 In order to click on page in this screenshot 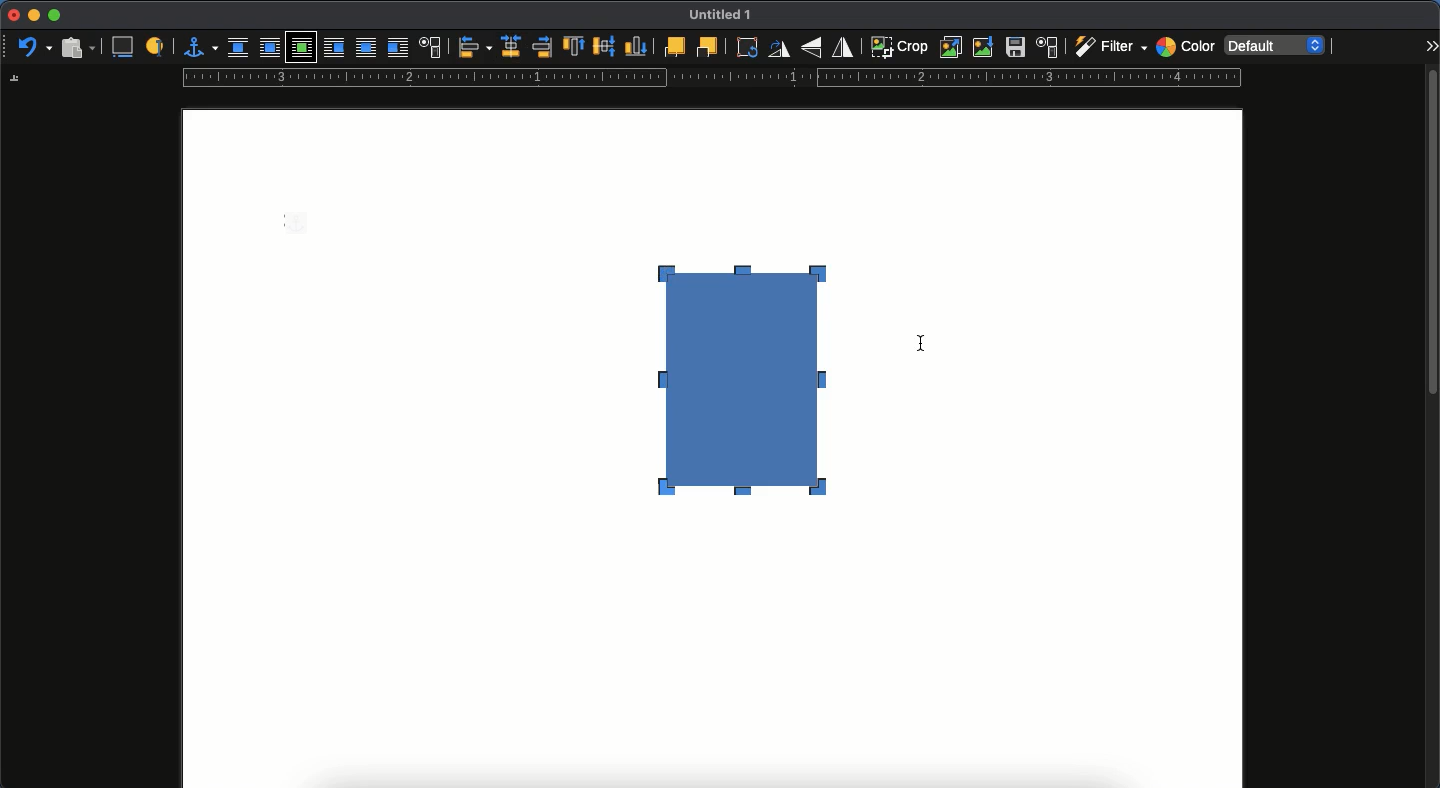, I will do `click(712, 657)`.